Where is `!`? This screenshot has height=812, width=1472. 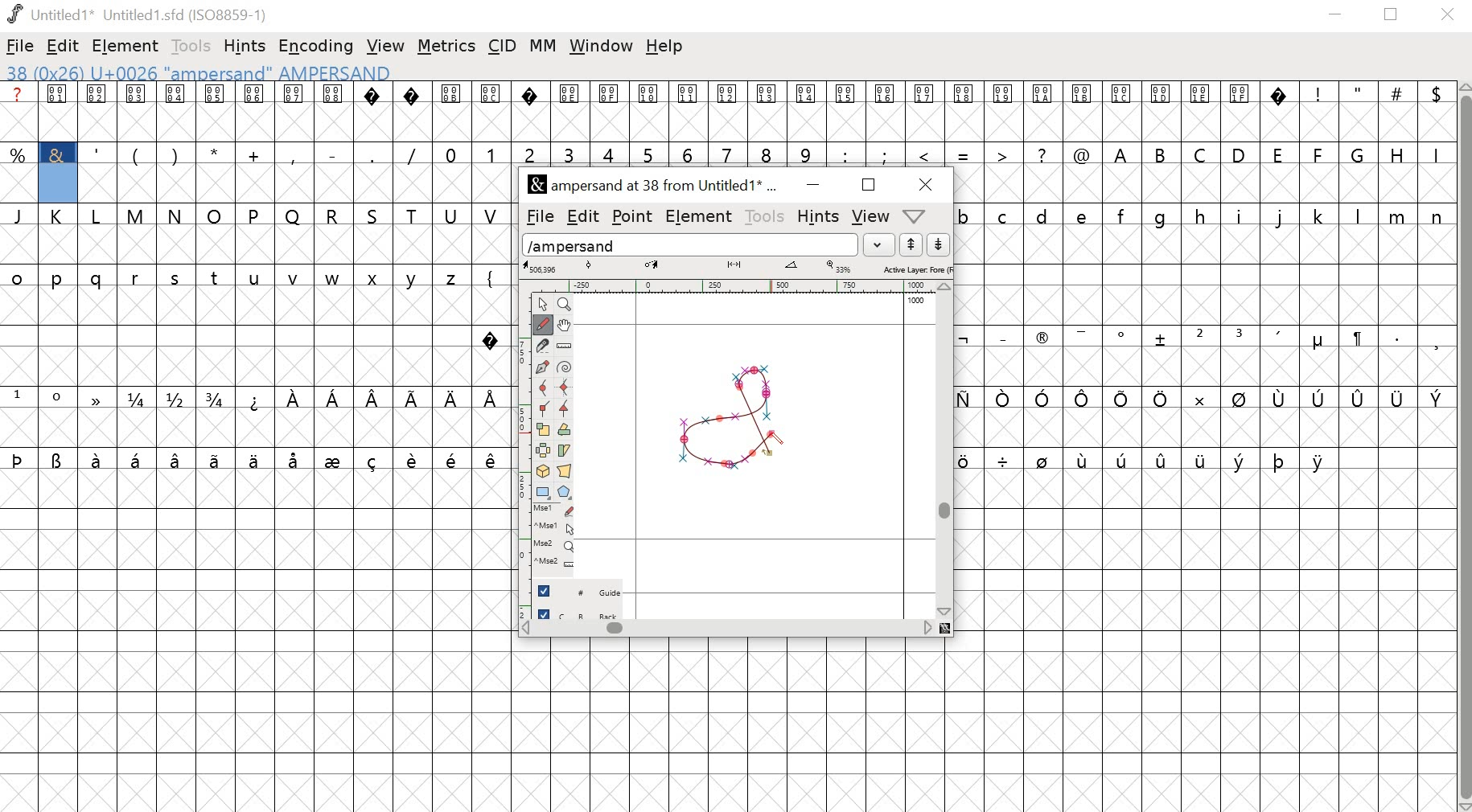
! is located at coordinates (1318, 111).